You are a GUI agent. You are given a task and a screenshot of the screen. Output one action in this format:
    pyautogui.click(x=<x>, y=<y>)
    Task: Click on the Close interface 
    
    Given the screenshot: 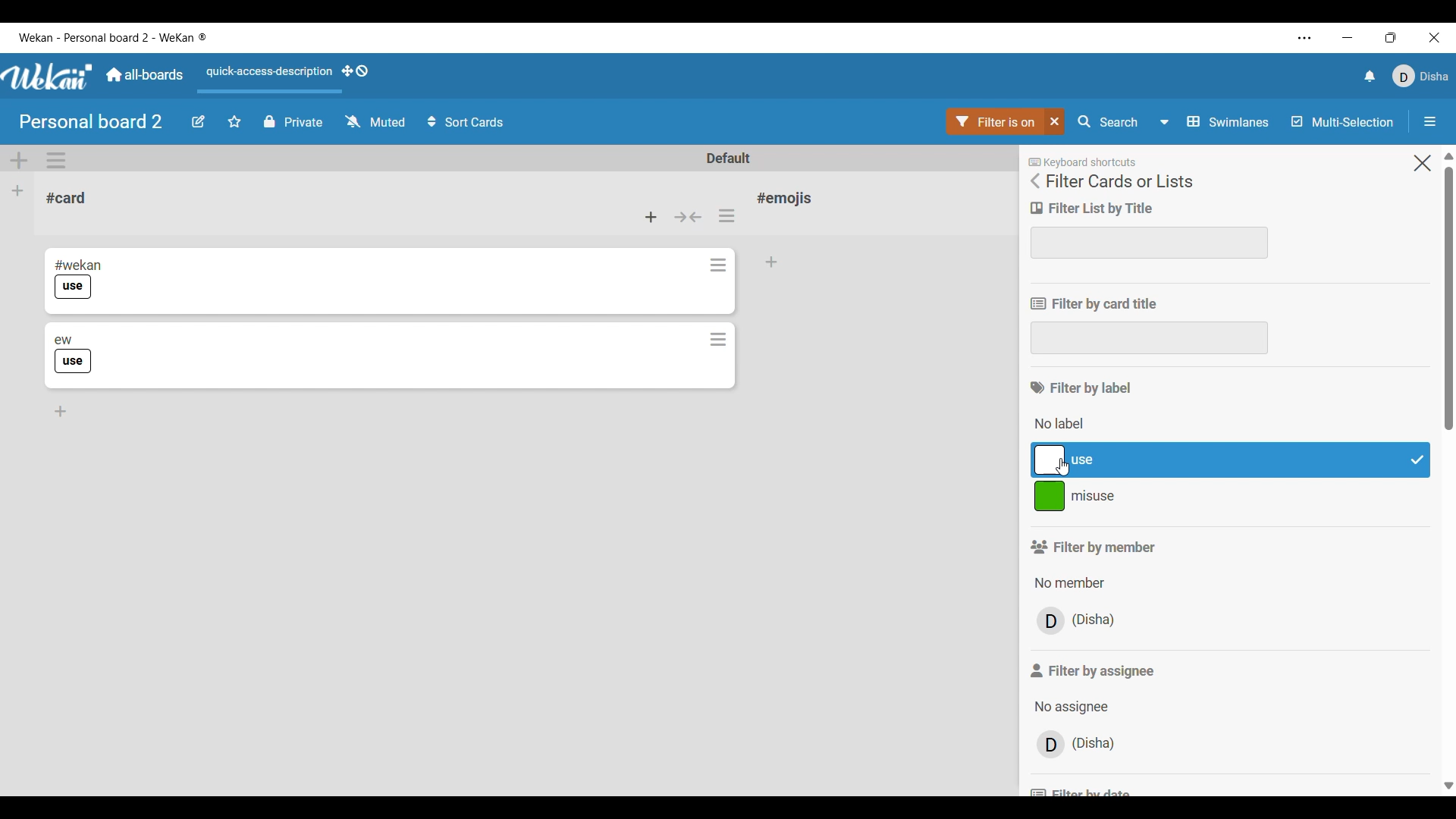 What is the action you would take?
    pyautogui.click(x=1435, y=37)
    